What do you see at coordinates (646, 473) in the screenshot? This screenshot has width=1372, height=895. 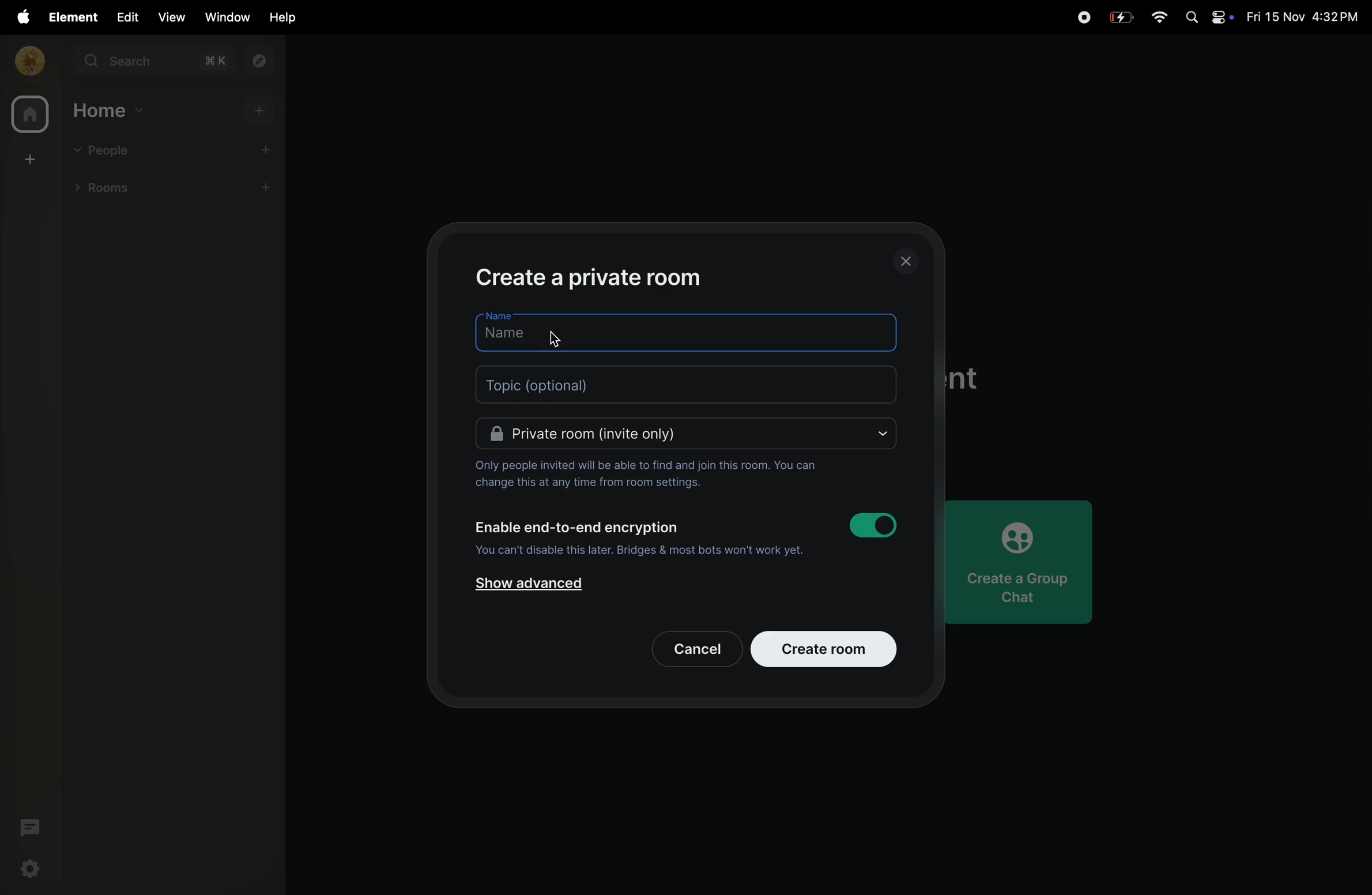 I see `only invited people can join them` at bounding box center [646, 473].